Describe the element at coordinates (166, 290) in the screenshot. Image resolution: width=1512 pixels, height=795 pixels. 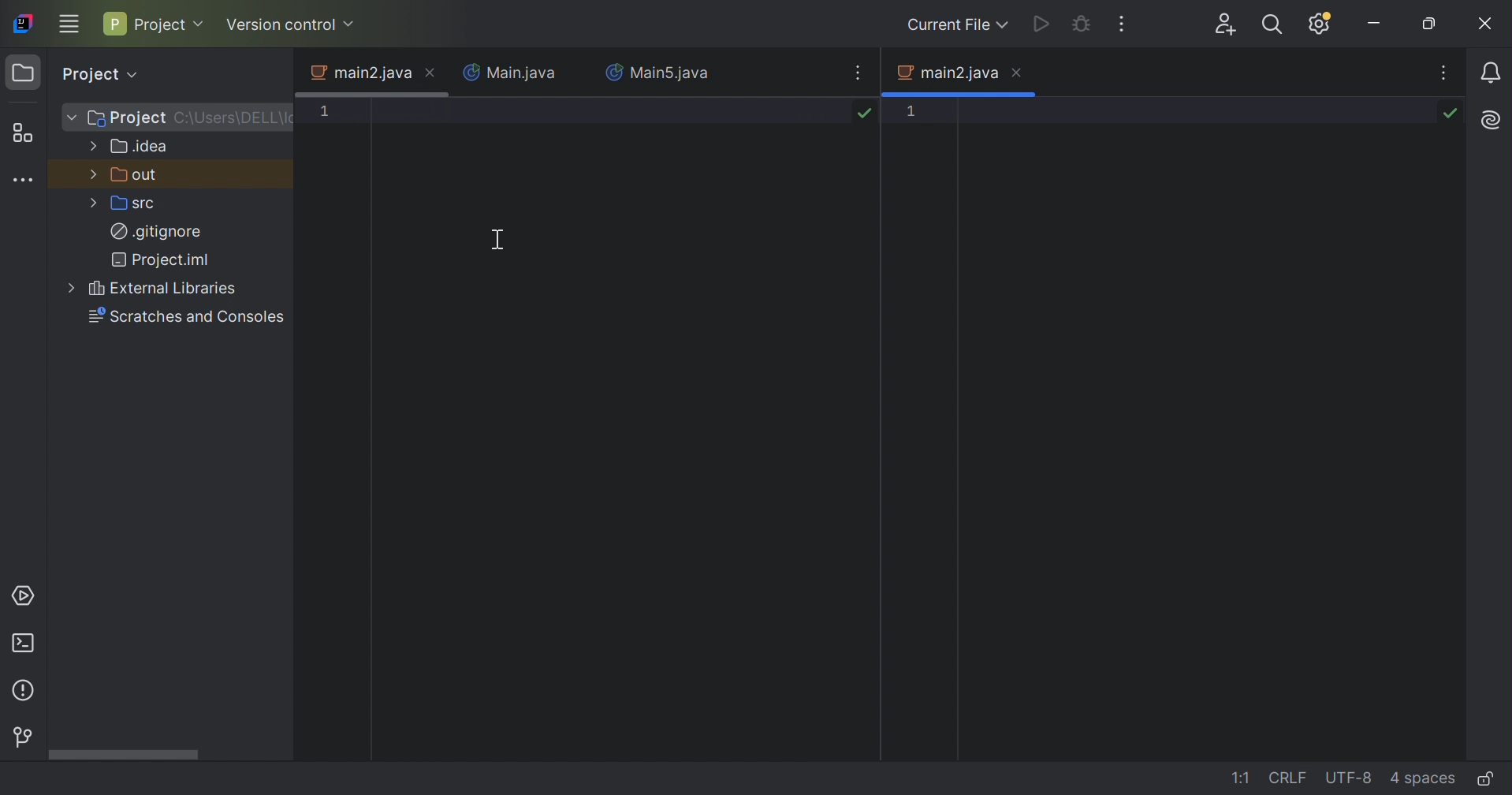
I see `External Libraries` at that location.